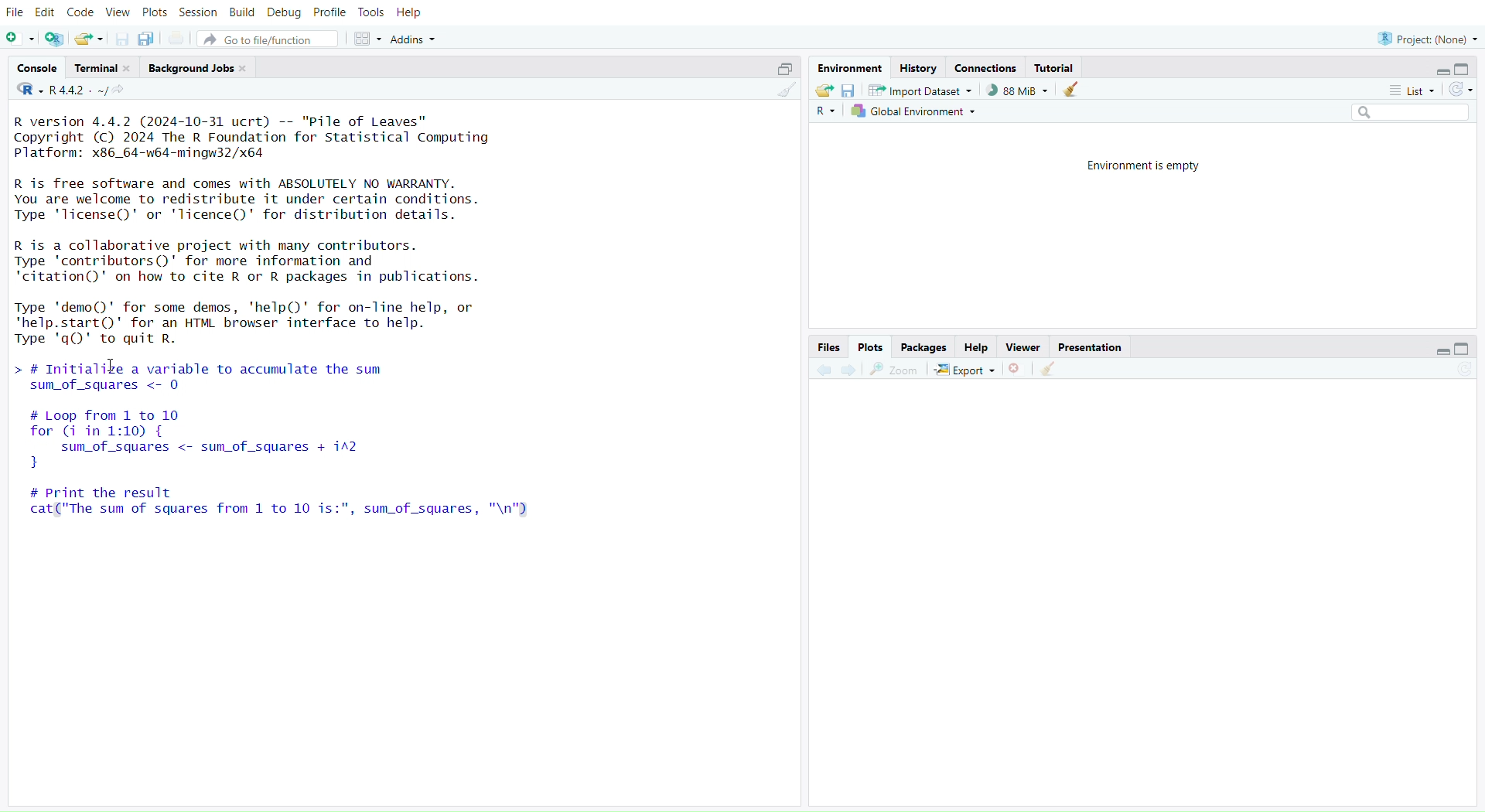  What do you see at coordinates (36, 67) in the screenshot?
I see `console` at bounding box center [36, 67].